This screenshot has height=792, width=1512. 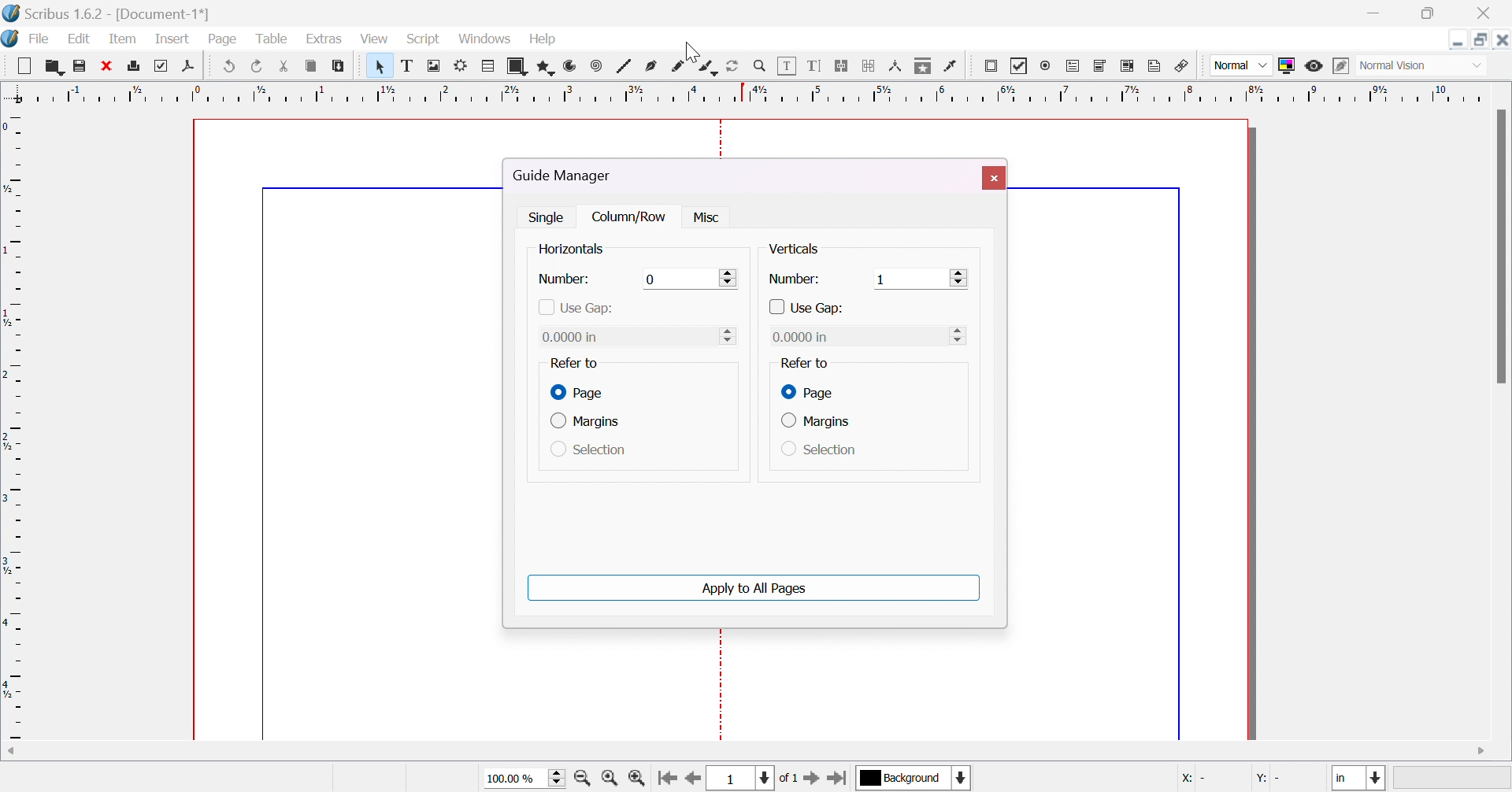 What do you see at coordinates (992, 177) in the screenshot?
I see `close` at bounding box center [992, 177].